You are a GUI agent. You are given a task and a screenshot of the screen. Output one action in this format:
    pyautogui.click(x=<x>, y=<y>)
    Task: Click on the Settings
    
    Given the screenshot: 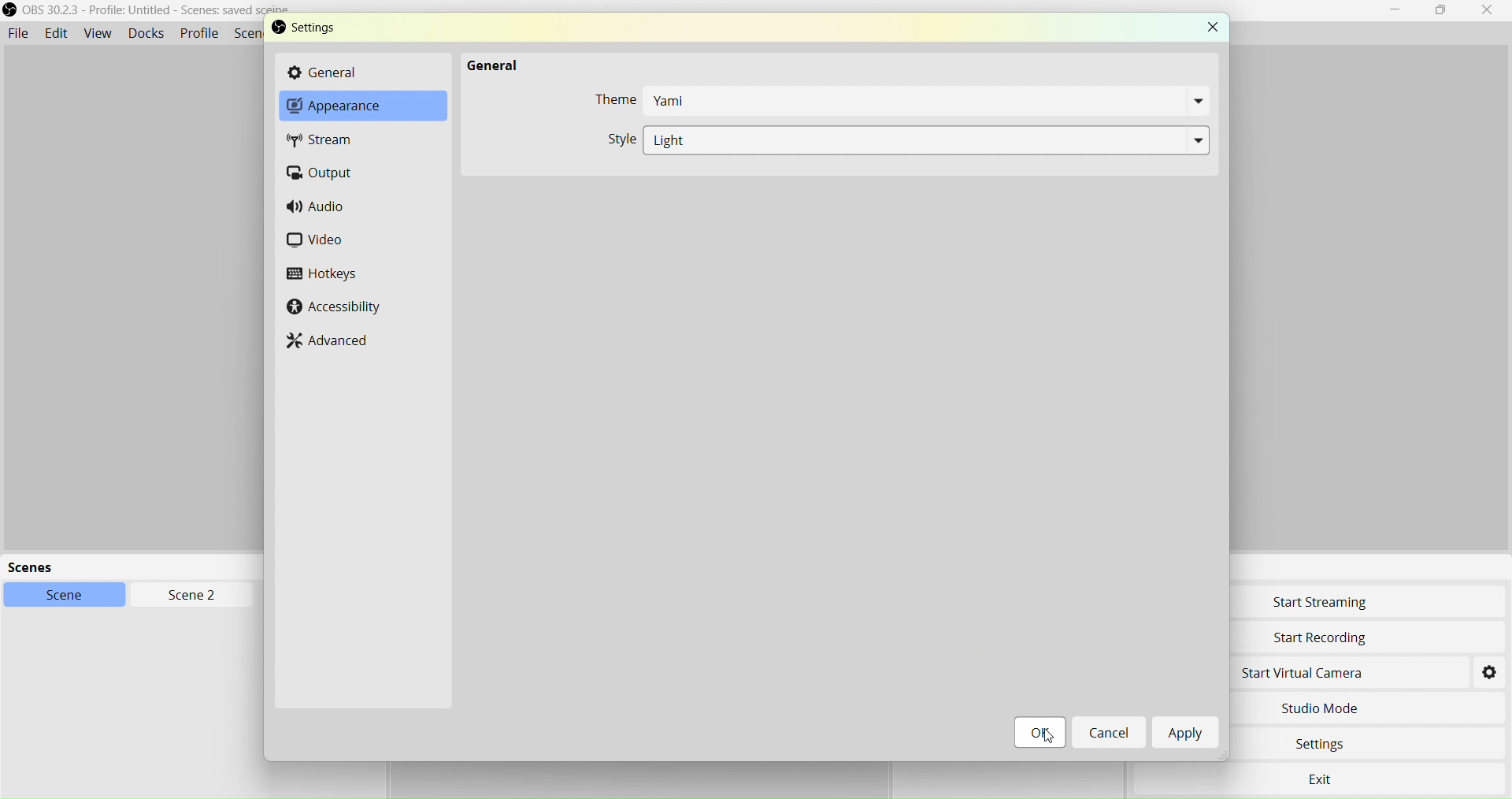 What is the action you would take?
    pyautogui.click(x=336, y=31)
    